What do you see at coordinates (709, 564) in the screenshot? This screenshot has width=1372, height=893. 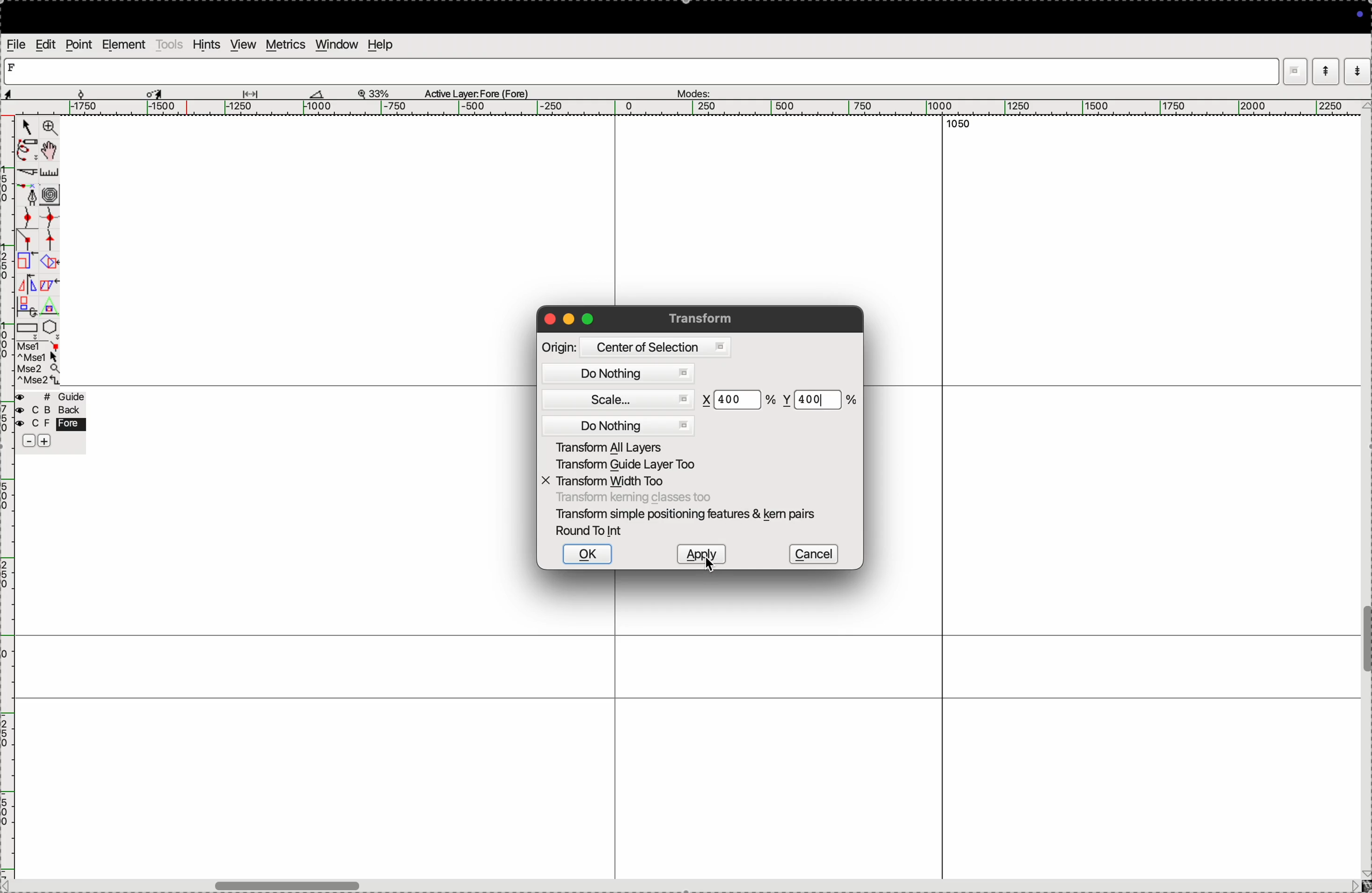 I see `Cursor` at bounding box center [709, 564].